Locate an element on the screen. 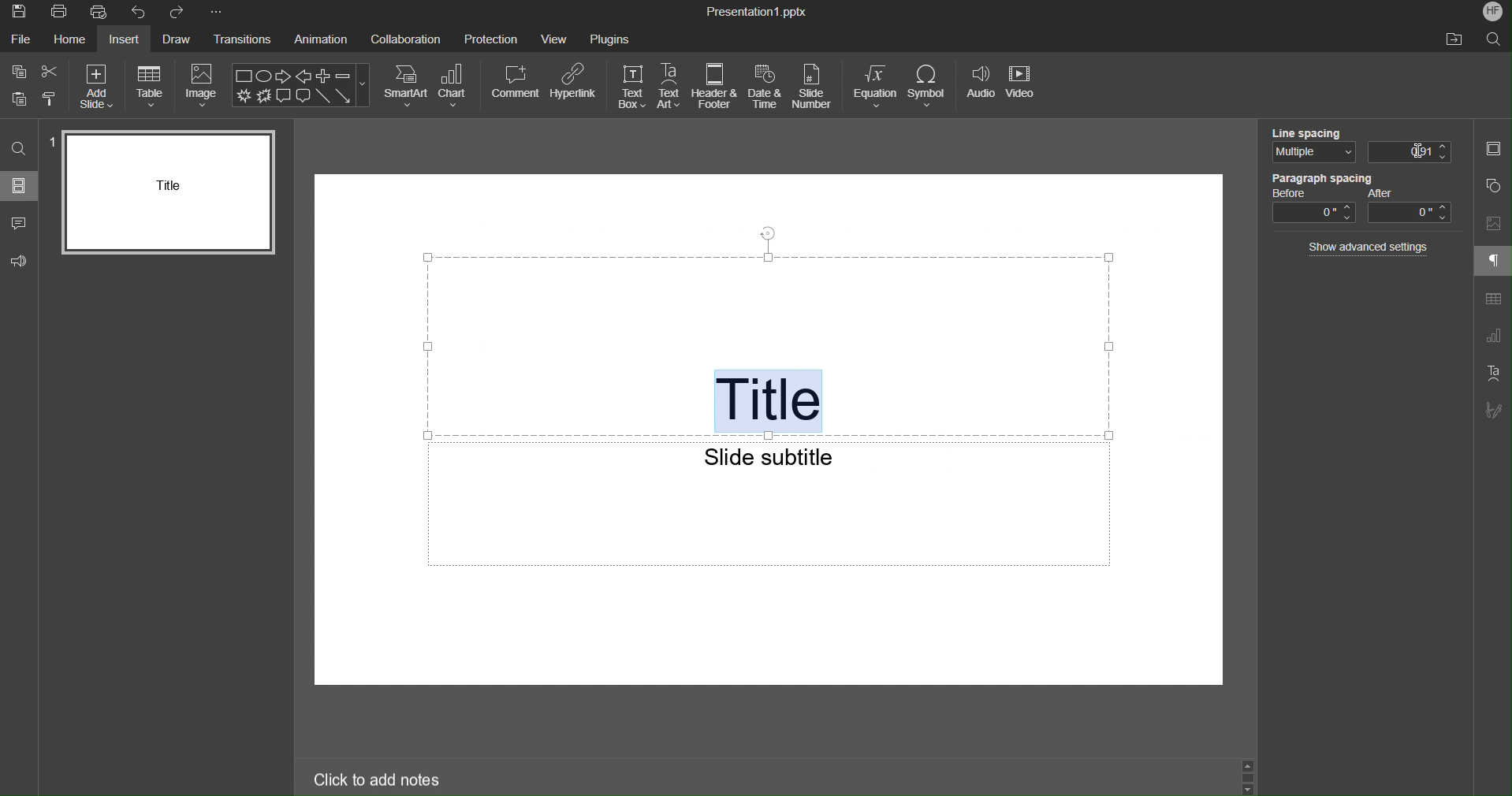 Image resolution: width=1512 pixels, height=796 pixels. Add Slide is located at coordinates (99, 84).